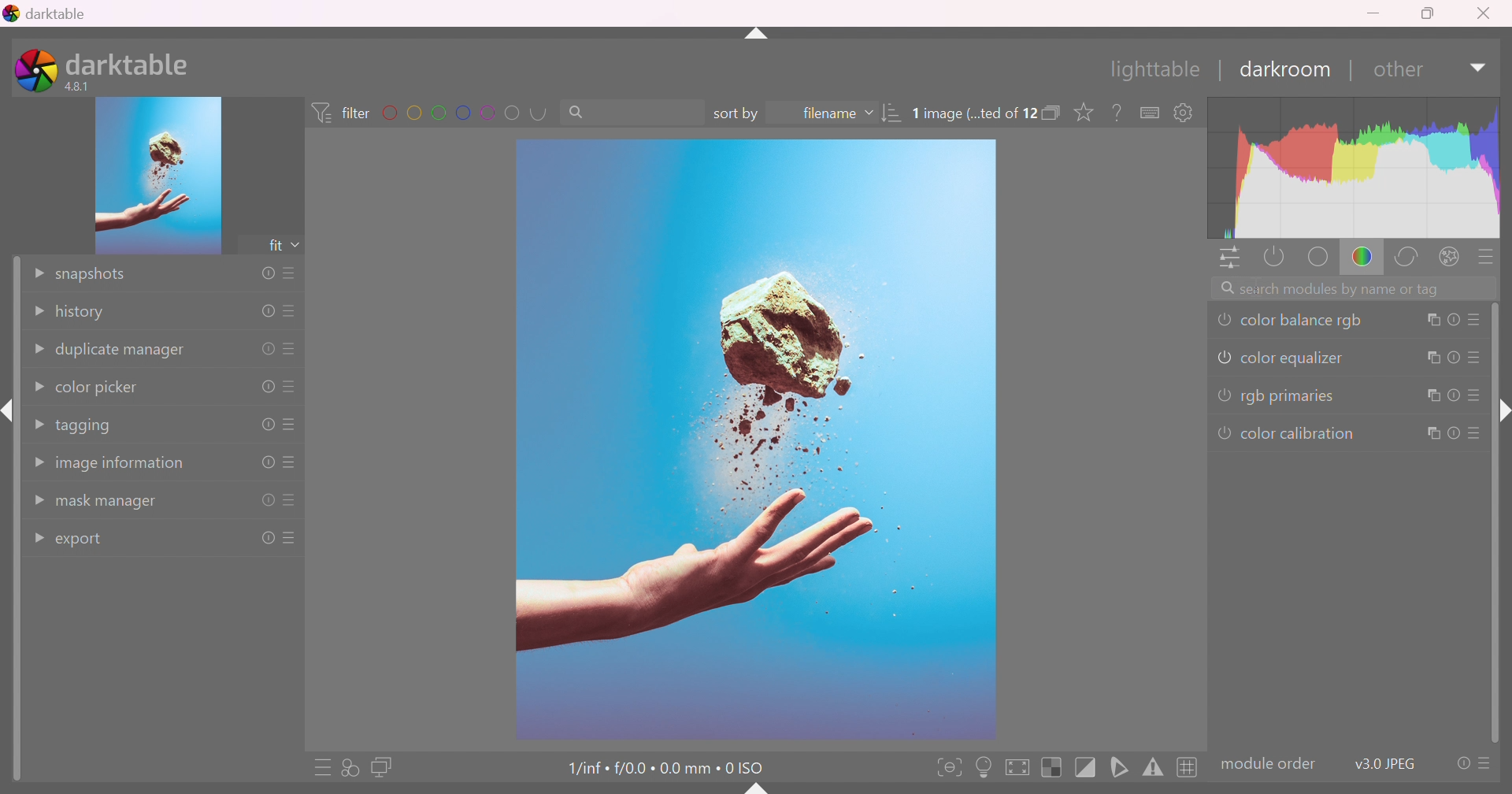 This screenshot has width=1512, height=794. Describe the element at coordinates (1086, 768) in the screenshot. I see `toggle clipping indication` at that location.